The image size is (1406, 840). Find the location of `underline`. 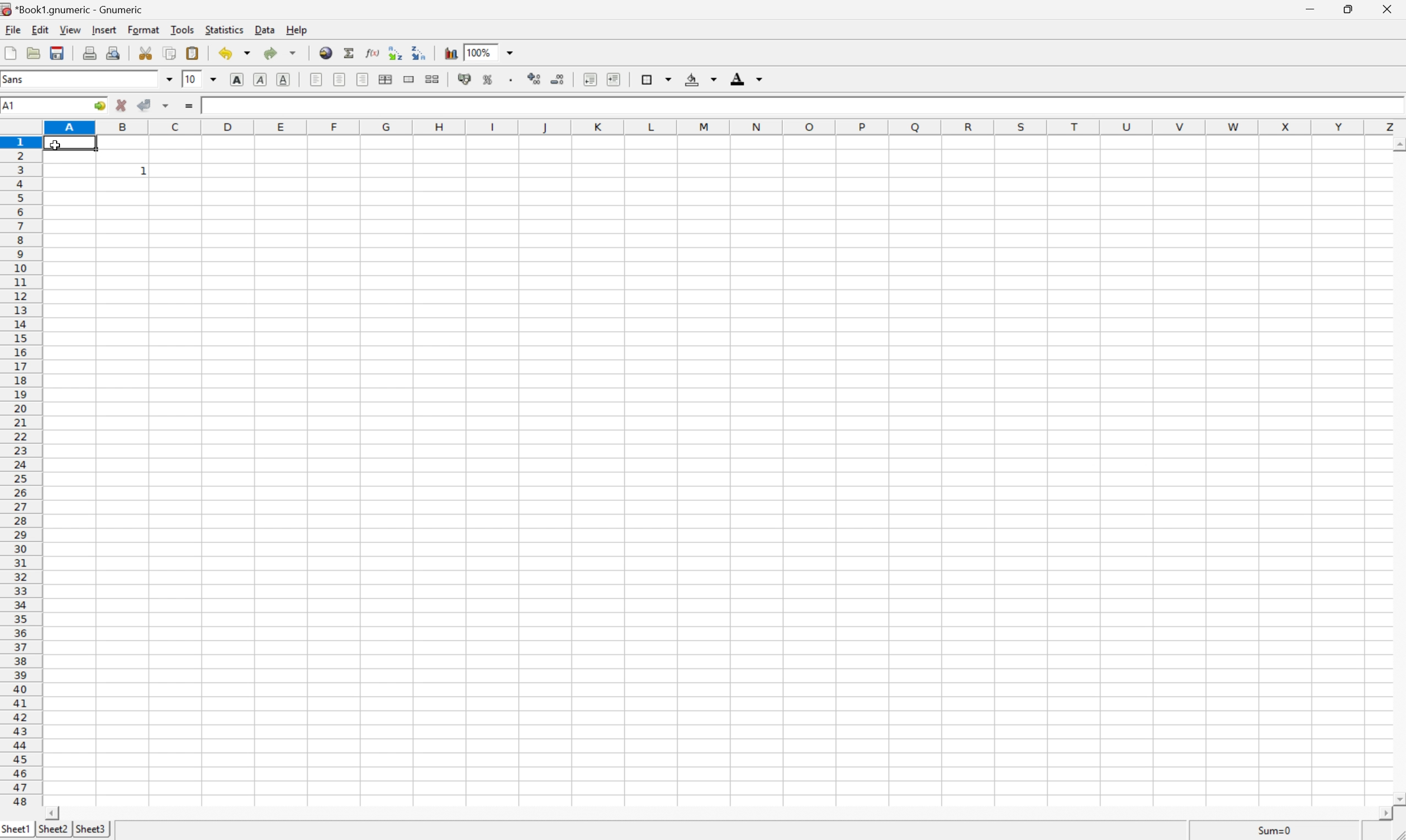

underline is located at coordinates (285, 79).